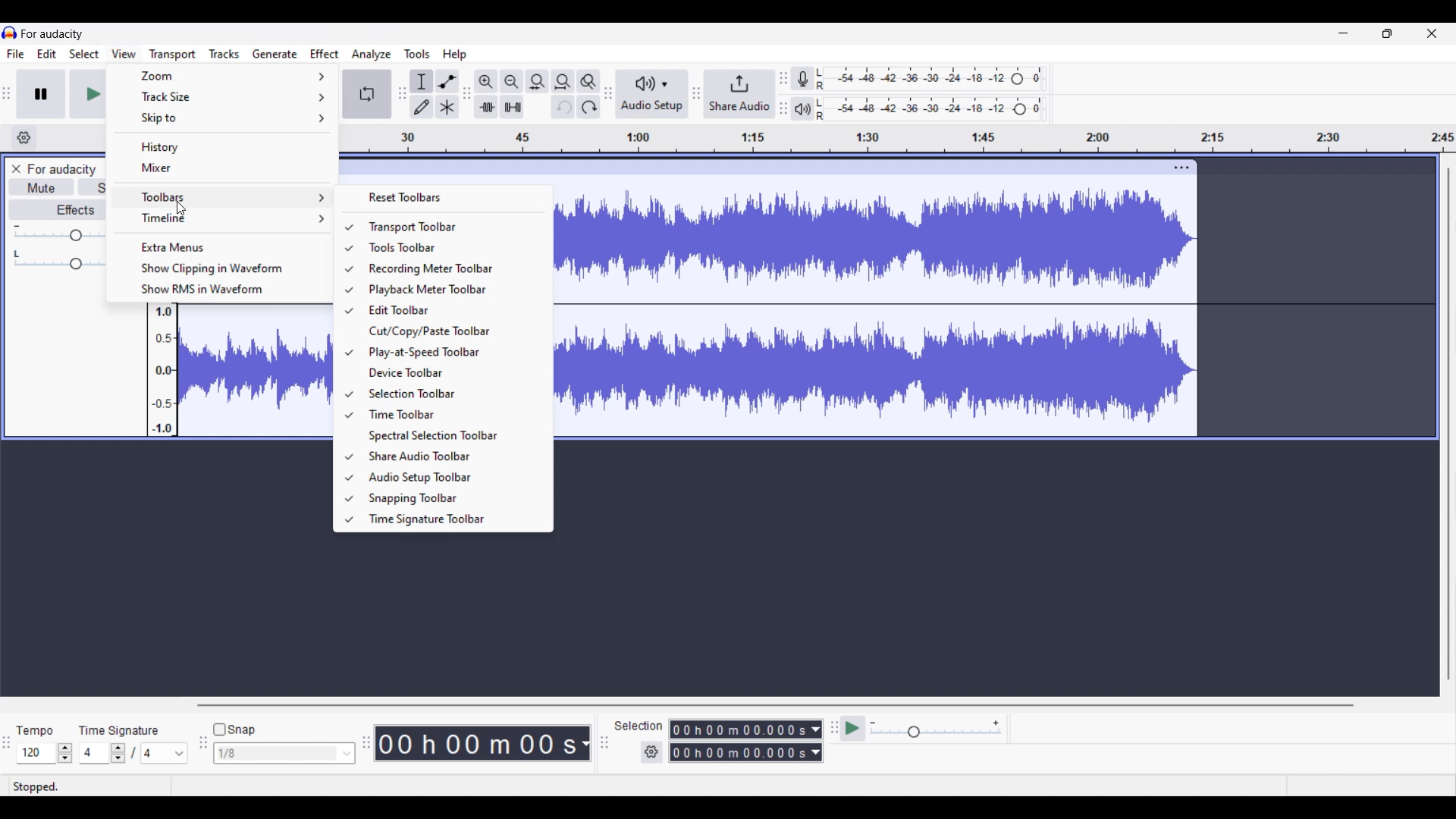  What do you see at coordinates (537, 82) in the screenshot?
I see `Fit selection to width` at bounding box center [537, 82].